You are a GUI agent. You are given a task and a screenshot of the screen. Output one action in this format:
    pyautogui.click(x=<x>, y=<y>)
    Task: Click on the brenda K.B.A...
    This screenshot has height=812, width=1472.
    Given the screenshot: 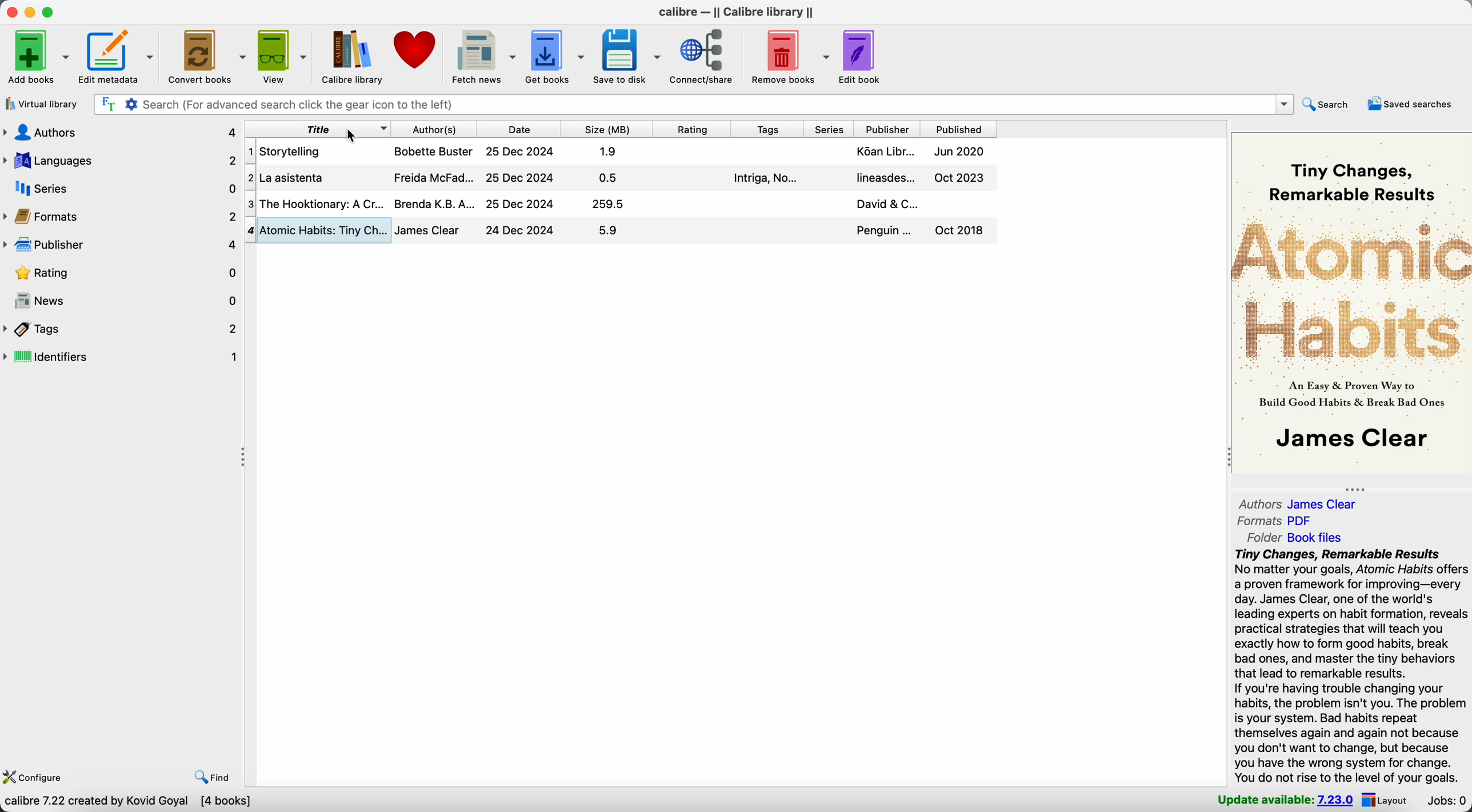 What is the action you would take?
    pyautogui.click(x=435, y=202)
    